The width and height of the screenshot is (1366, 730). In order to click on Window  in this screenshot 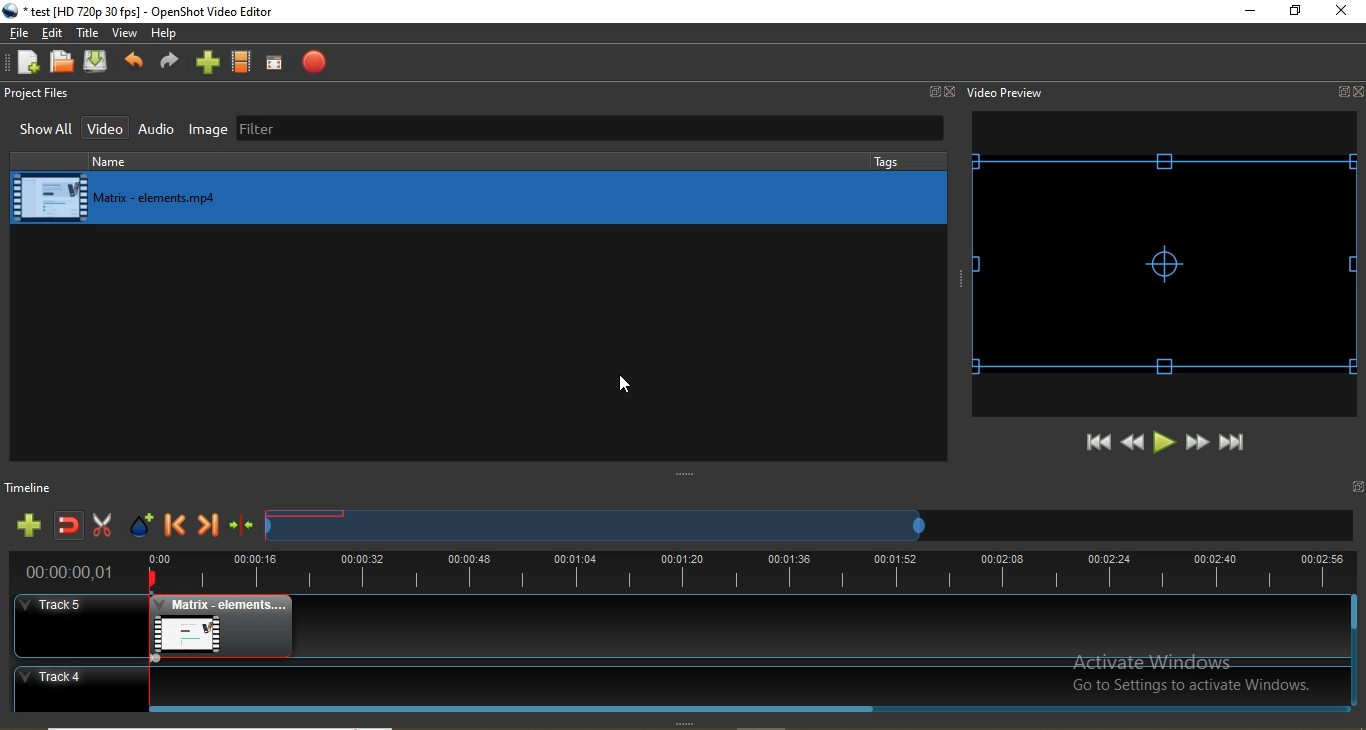, I will do `click(935, 91)`.